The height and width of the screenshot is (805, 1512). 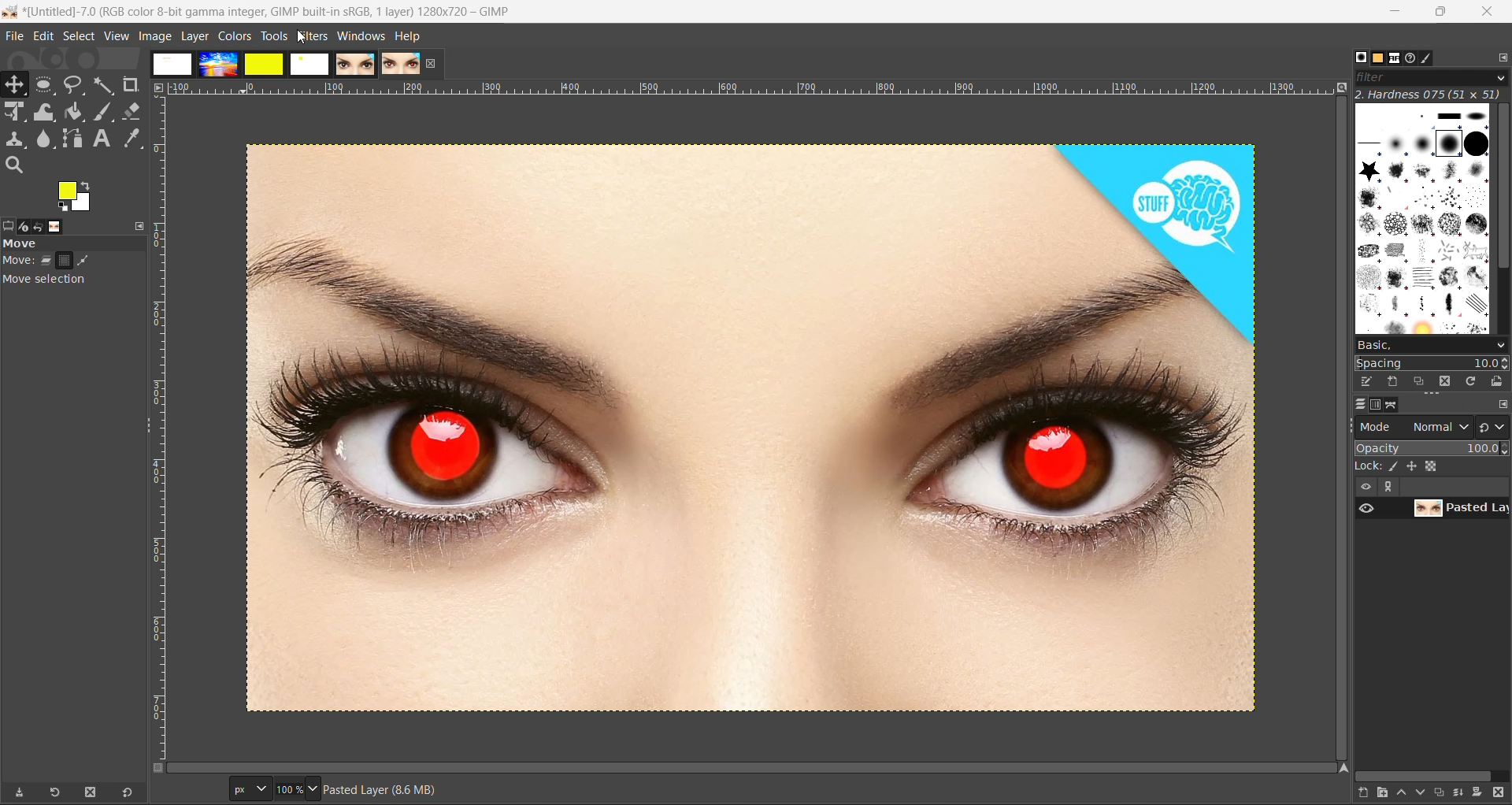 What do you see at coordinates (1398, 406) in the screenshot?
I see `path` at bounding box center [1398, 406].